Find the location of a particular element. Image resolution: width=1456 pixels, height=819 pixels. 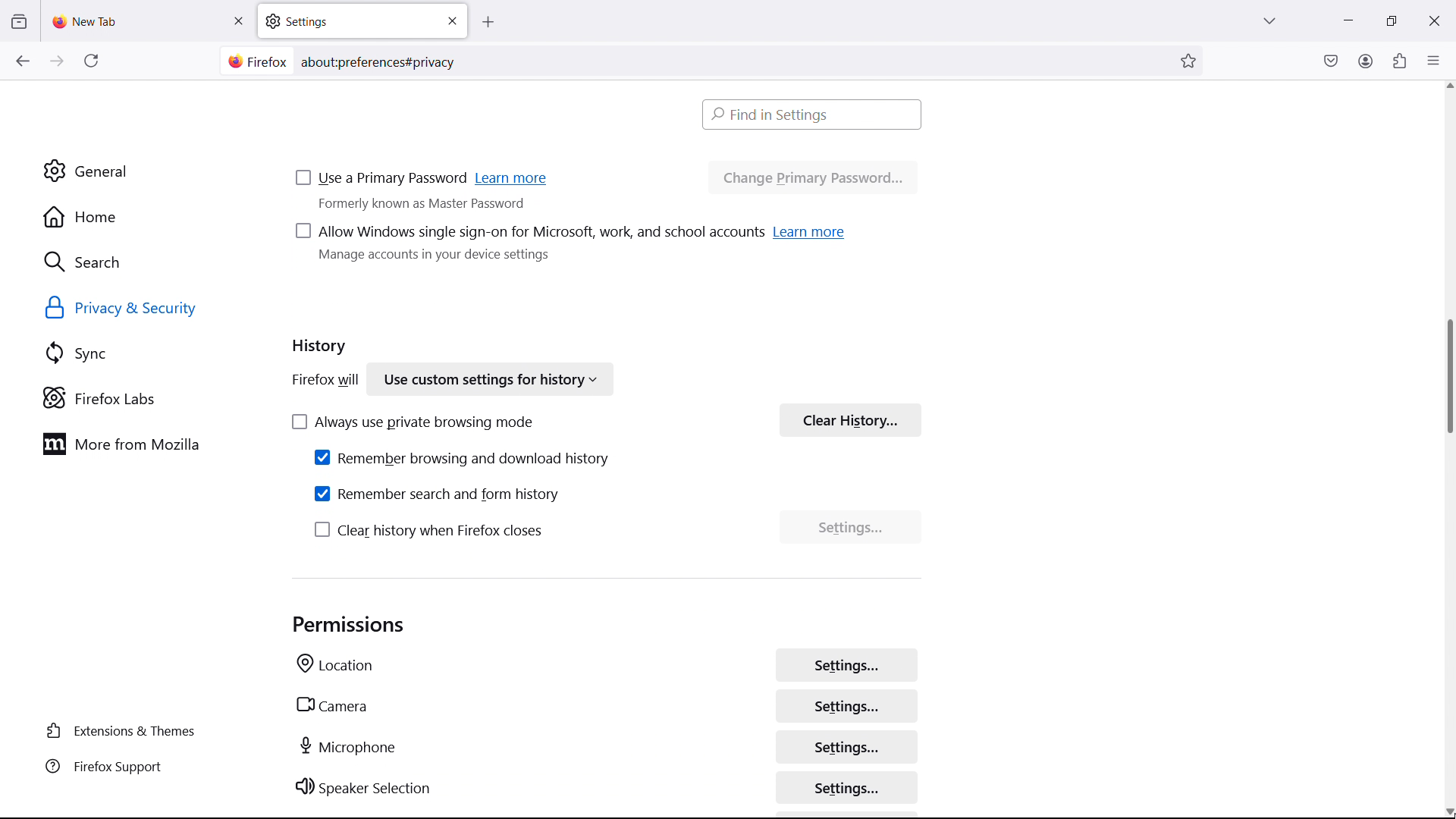

open new tab is located at coordinates (503, 23).